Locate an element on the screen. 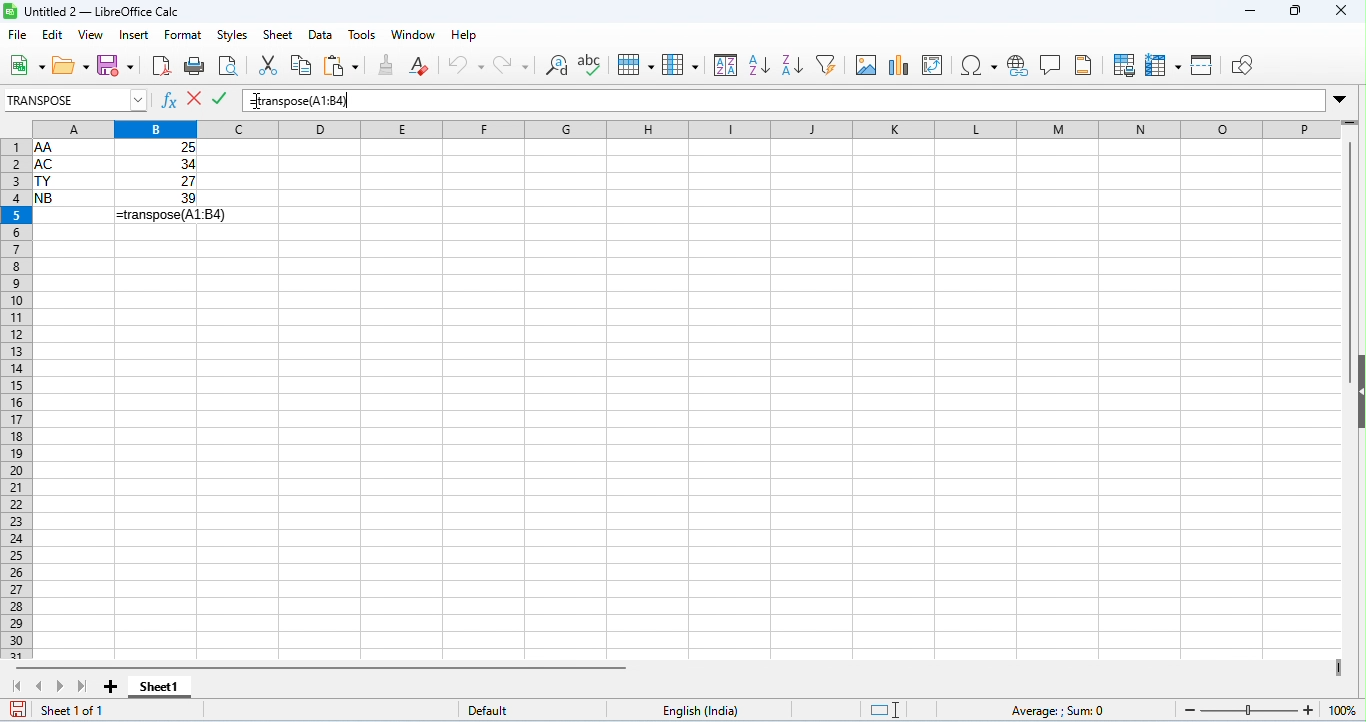 This screenshot has width=1366, height=722. zoom is located at coordinates (1264, 709).